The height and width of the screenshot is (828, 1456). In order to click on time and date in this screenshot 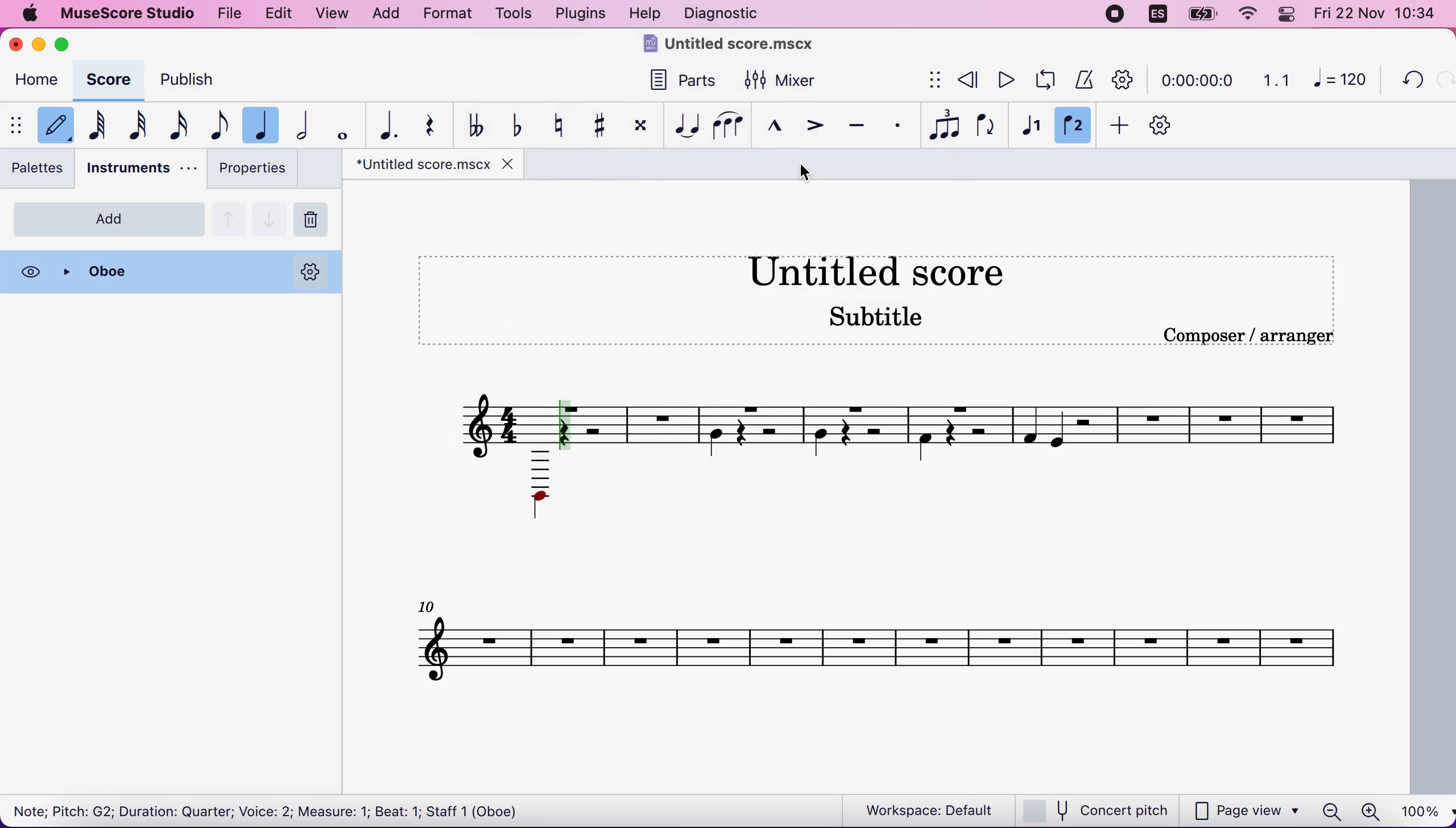, I will do `click(1379, 15)`.